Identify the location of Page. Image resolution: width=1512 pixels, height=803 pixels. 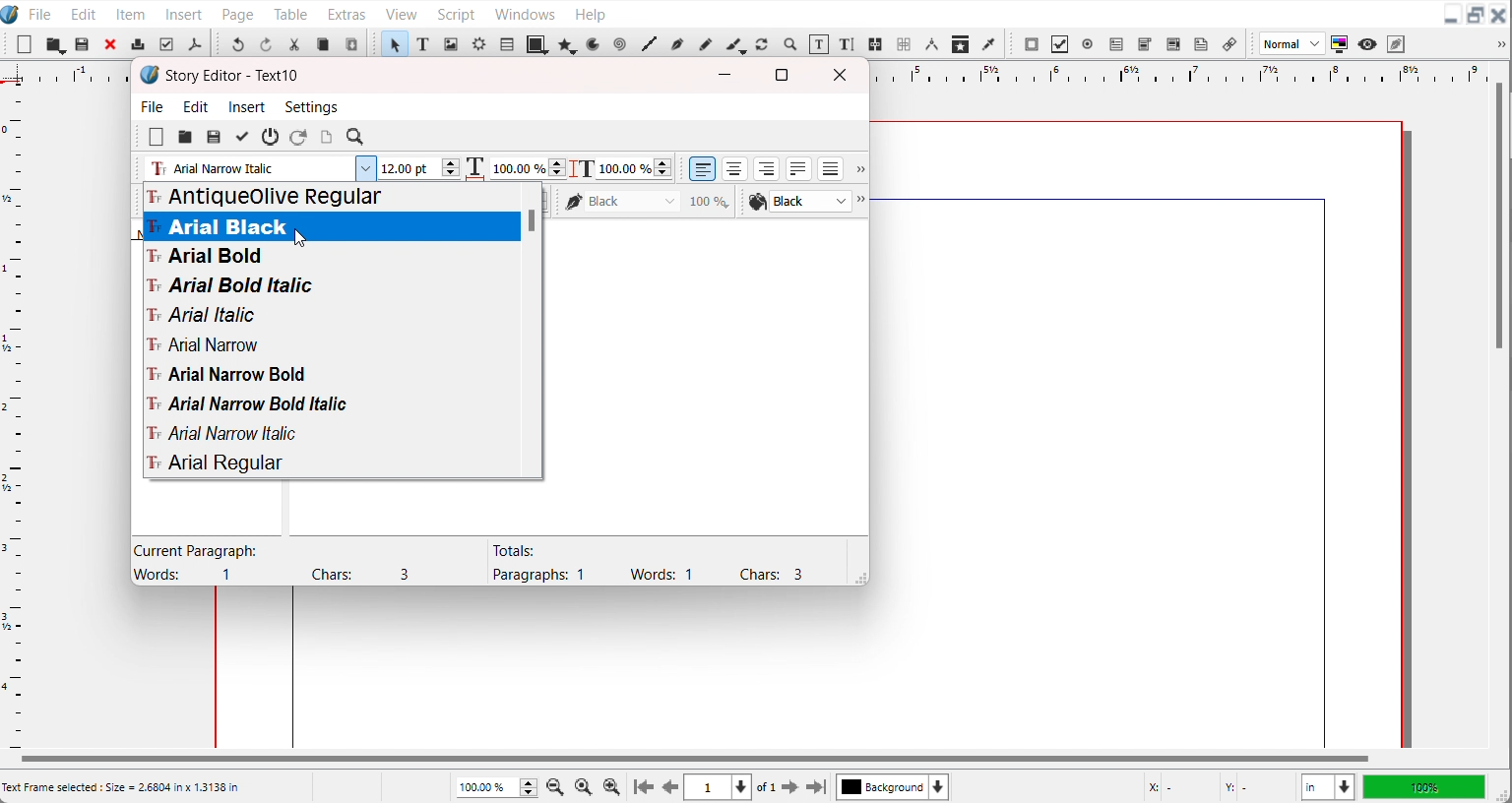
(237, 13).